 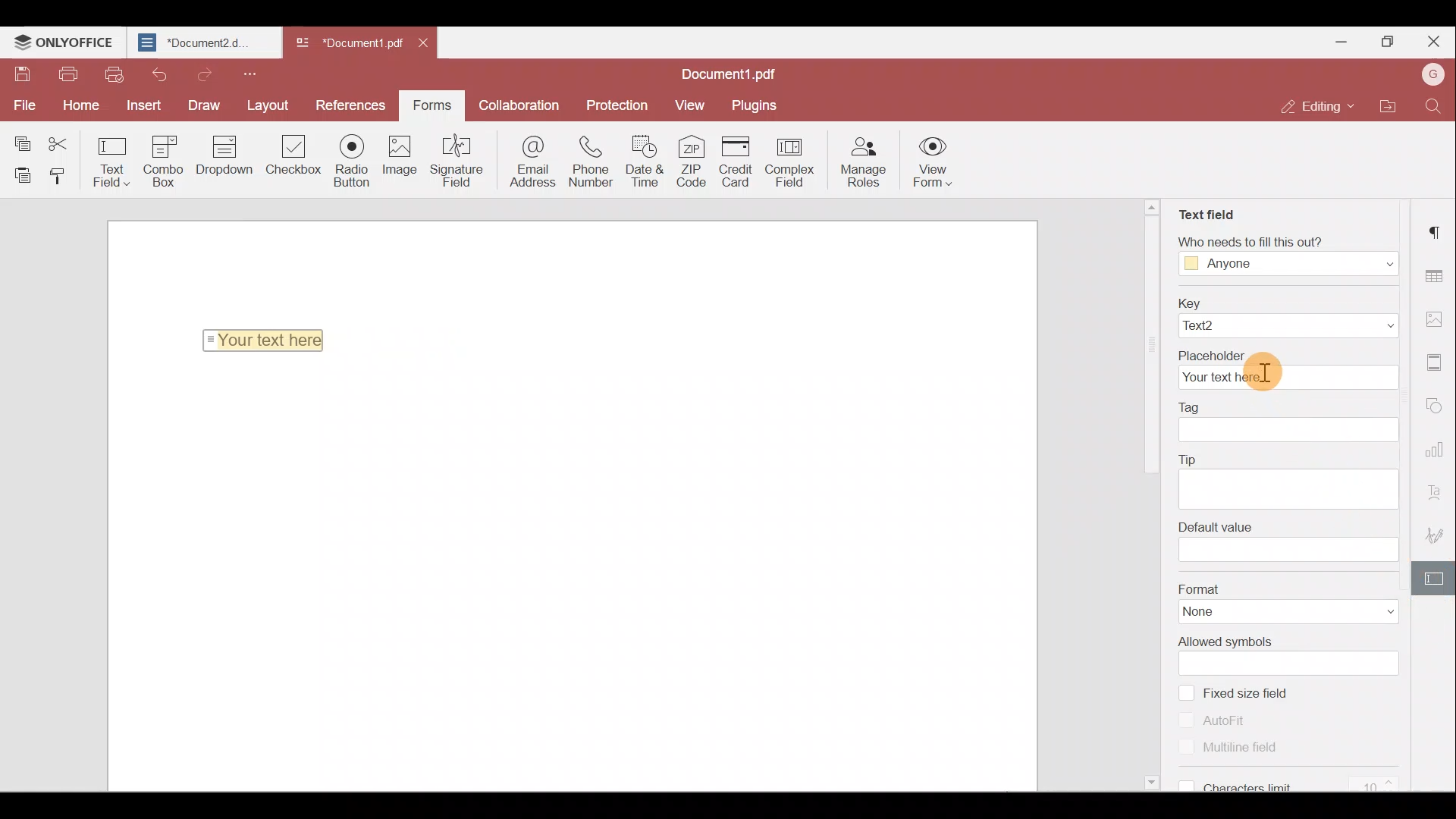 What do you see at coordinates (1373, 612) in the screenshot?
I see `Format dropdown` at bounding box center [1373, 612].